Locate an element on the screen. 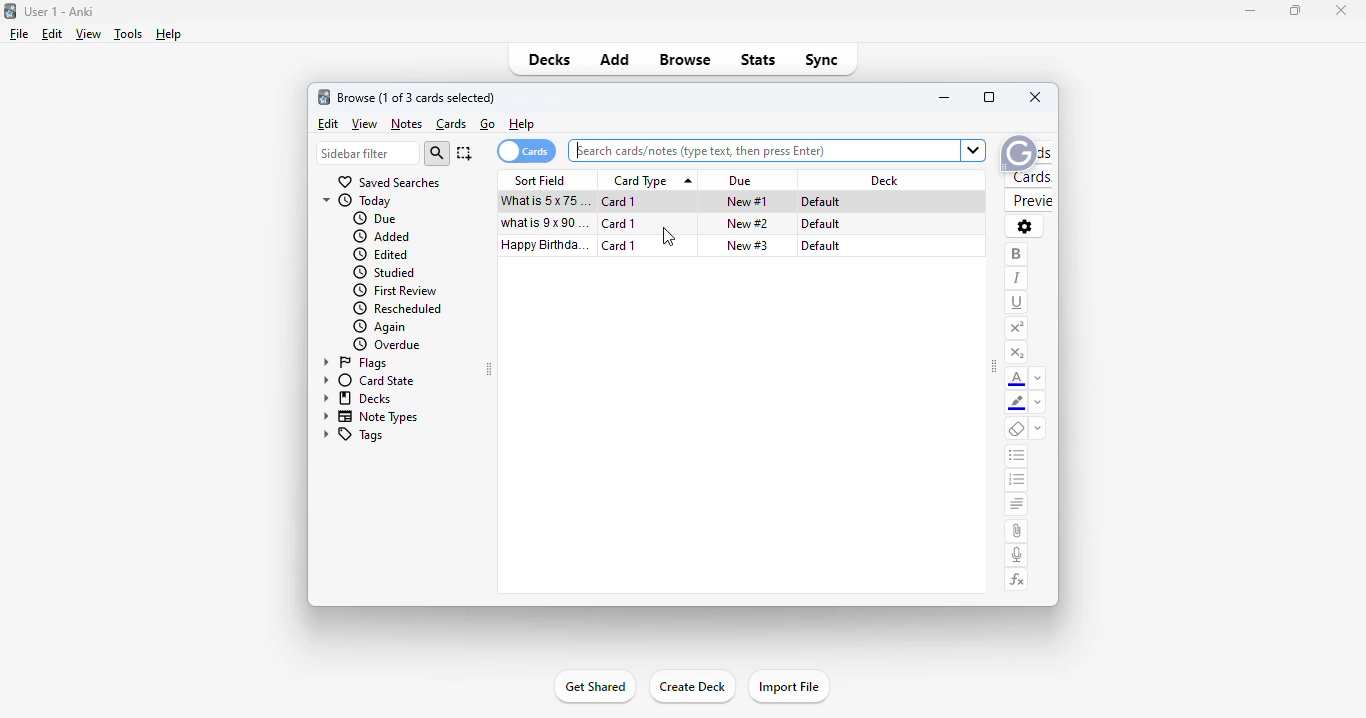 Image resolution: width=1366 pixels, height=718 pixels. User 1 - Anki is located at coordinates (59, 11).